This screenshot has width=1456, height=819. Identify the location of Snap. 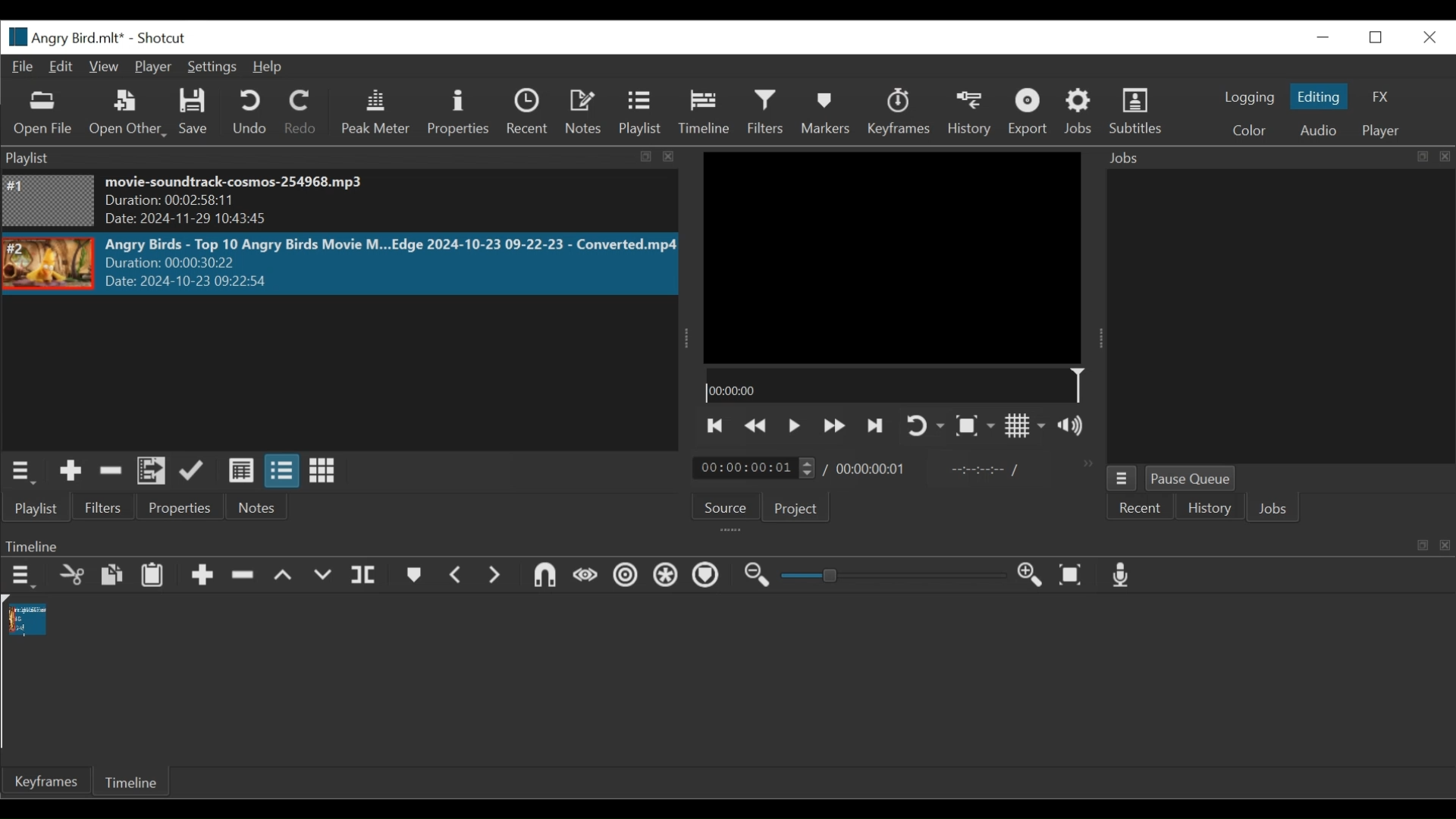
(542, 577).